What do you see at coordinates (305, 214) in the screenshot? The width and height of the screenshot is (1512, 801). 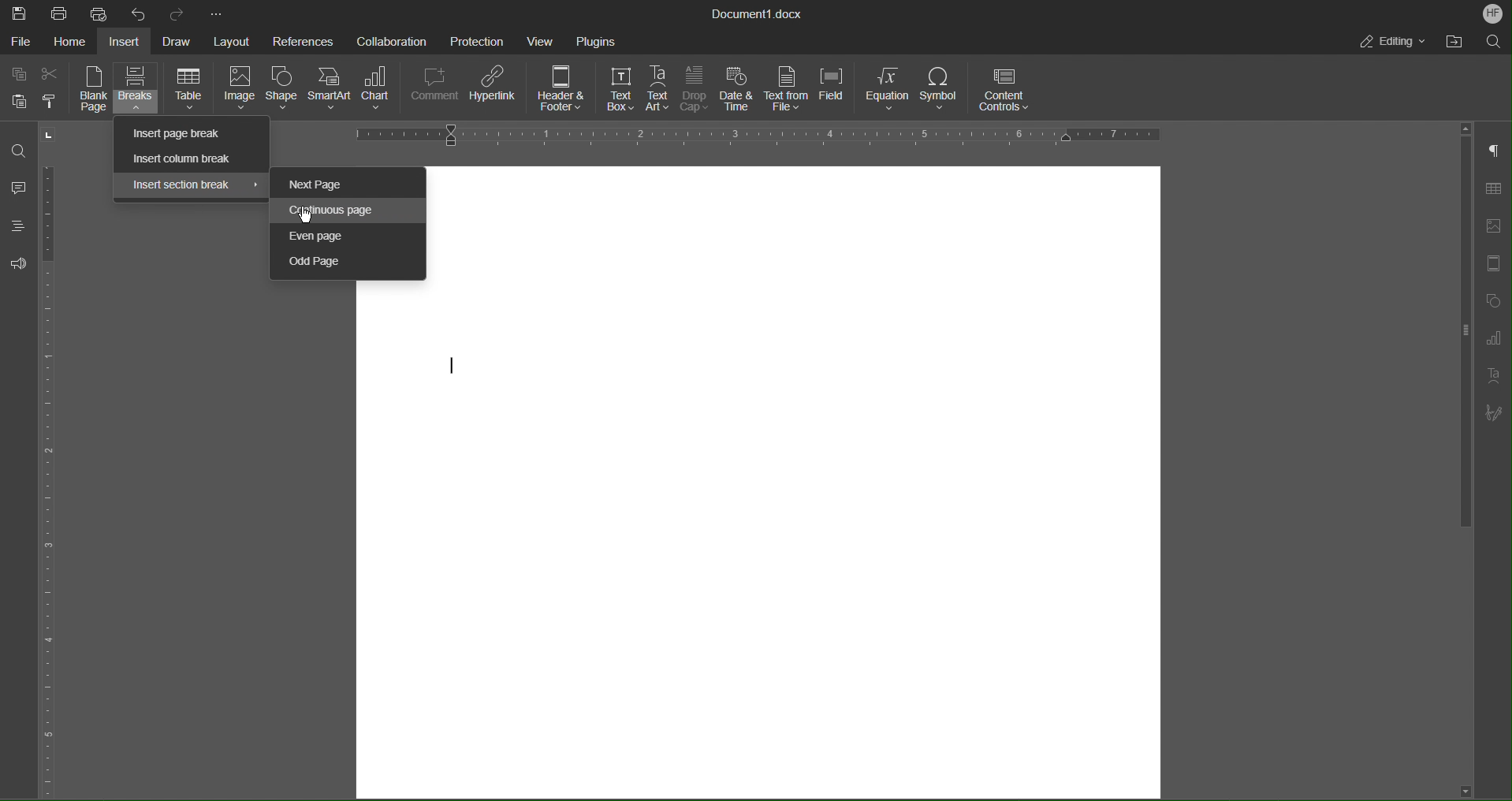 I see `Cursor` at bounding box center [305, 214].